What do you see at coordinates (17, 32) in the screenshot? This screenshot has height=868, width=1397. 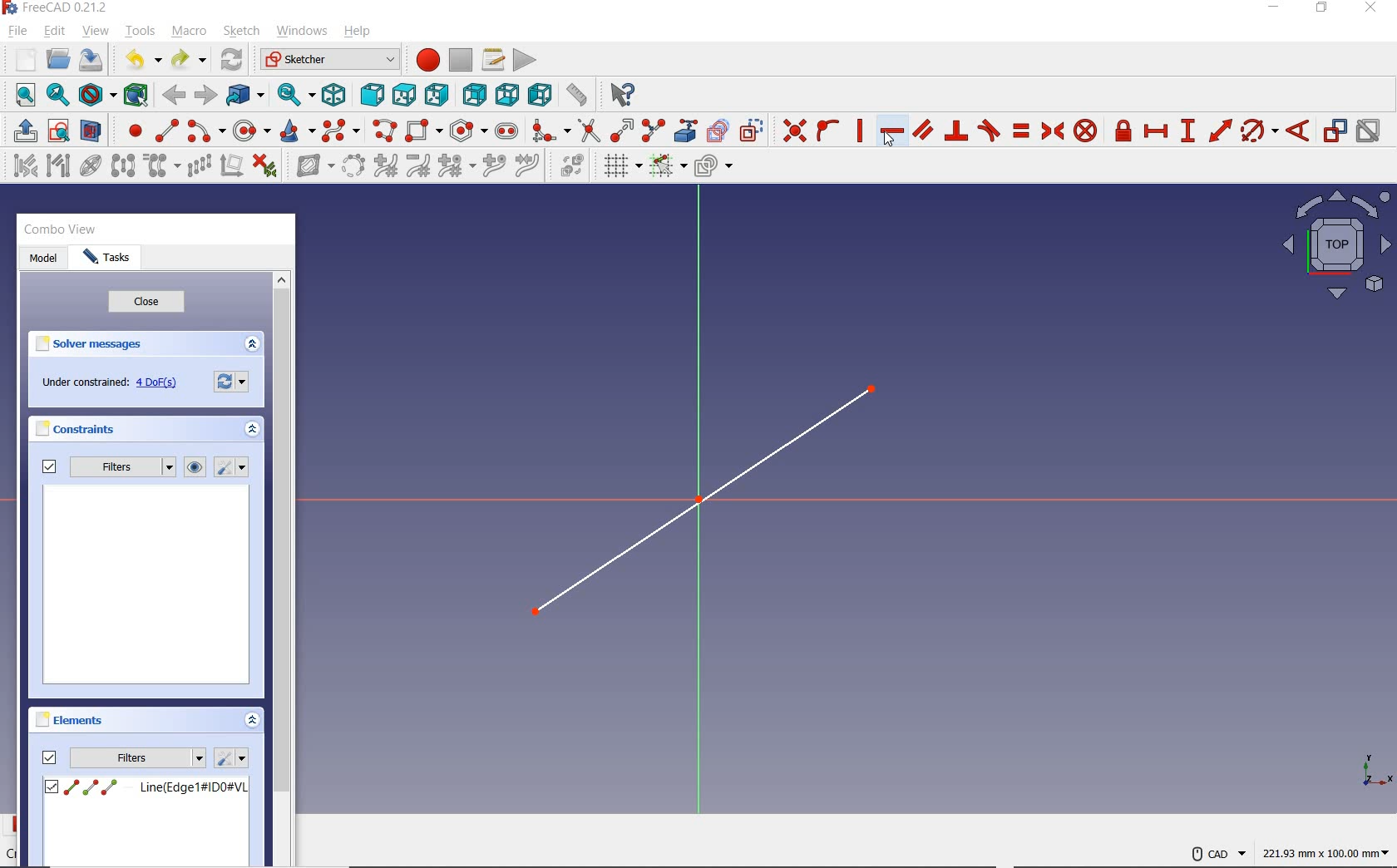 I see `FILE` at bounding box center [17, 32].